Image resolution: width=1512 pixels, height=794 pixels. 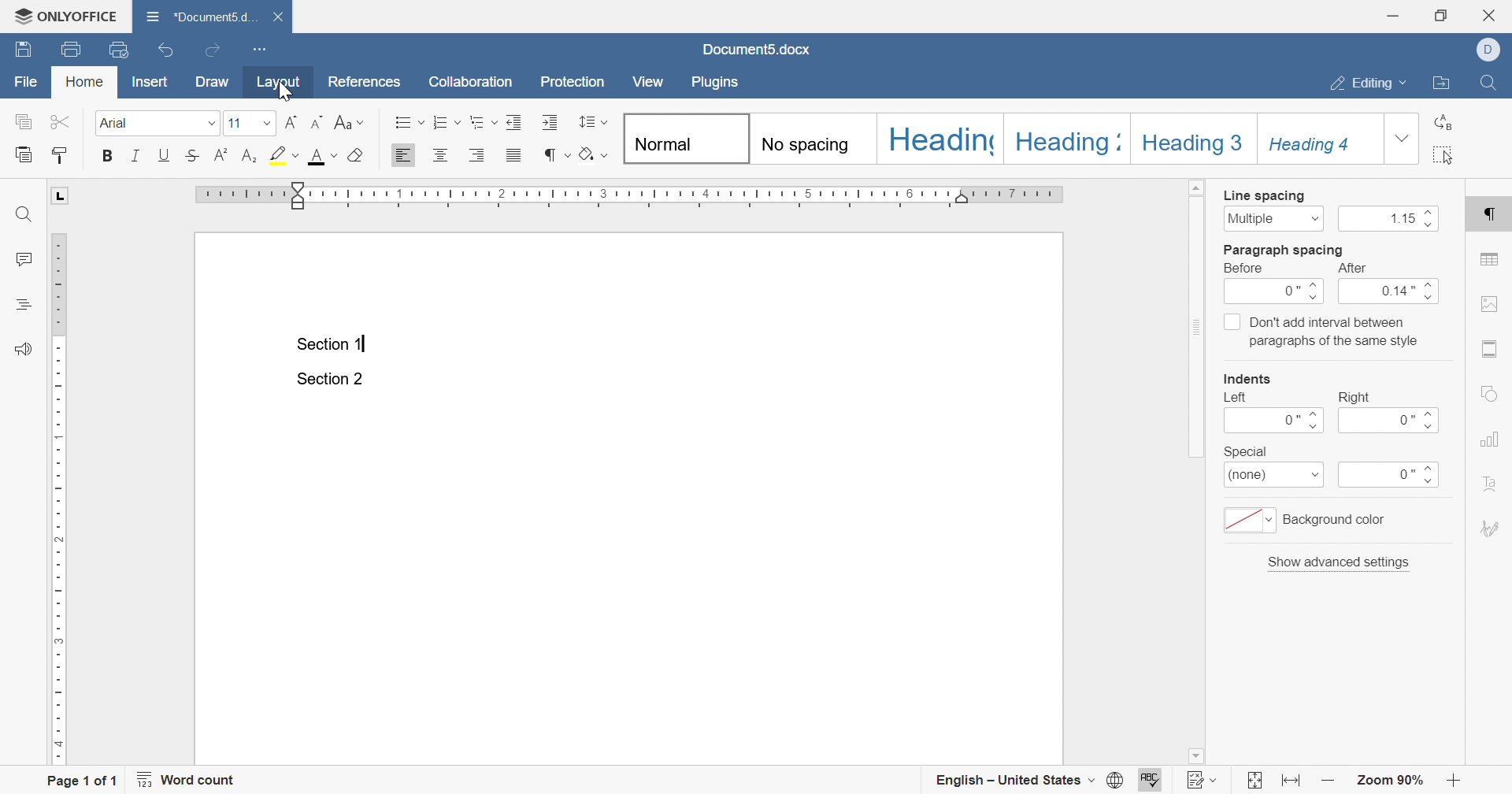 I want to click on print, so click(x=75, y=50).